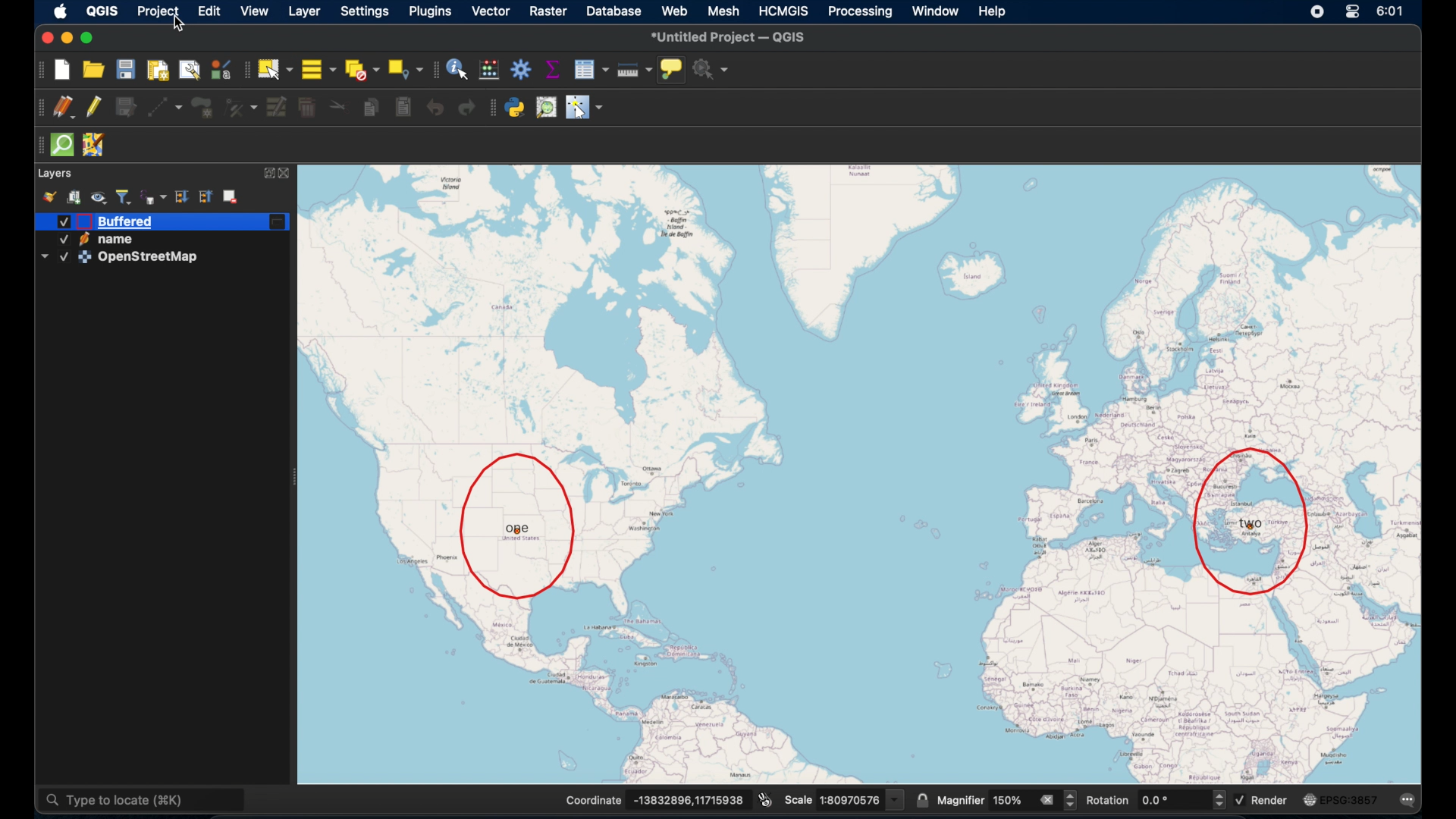  What do you see at coordinates (276, 107) in the screenshot?
I see `modify attributes` at bounding box center [276, 107].